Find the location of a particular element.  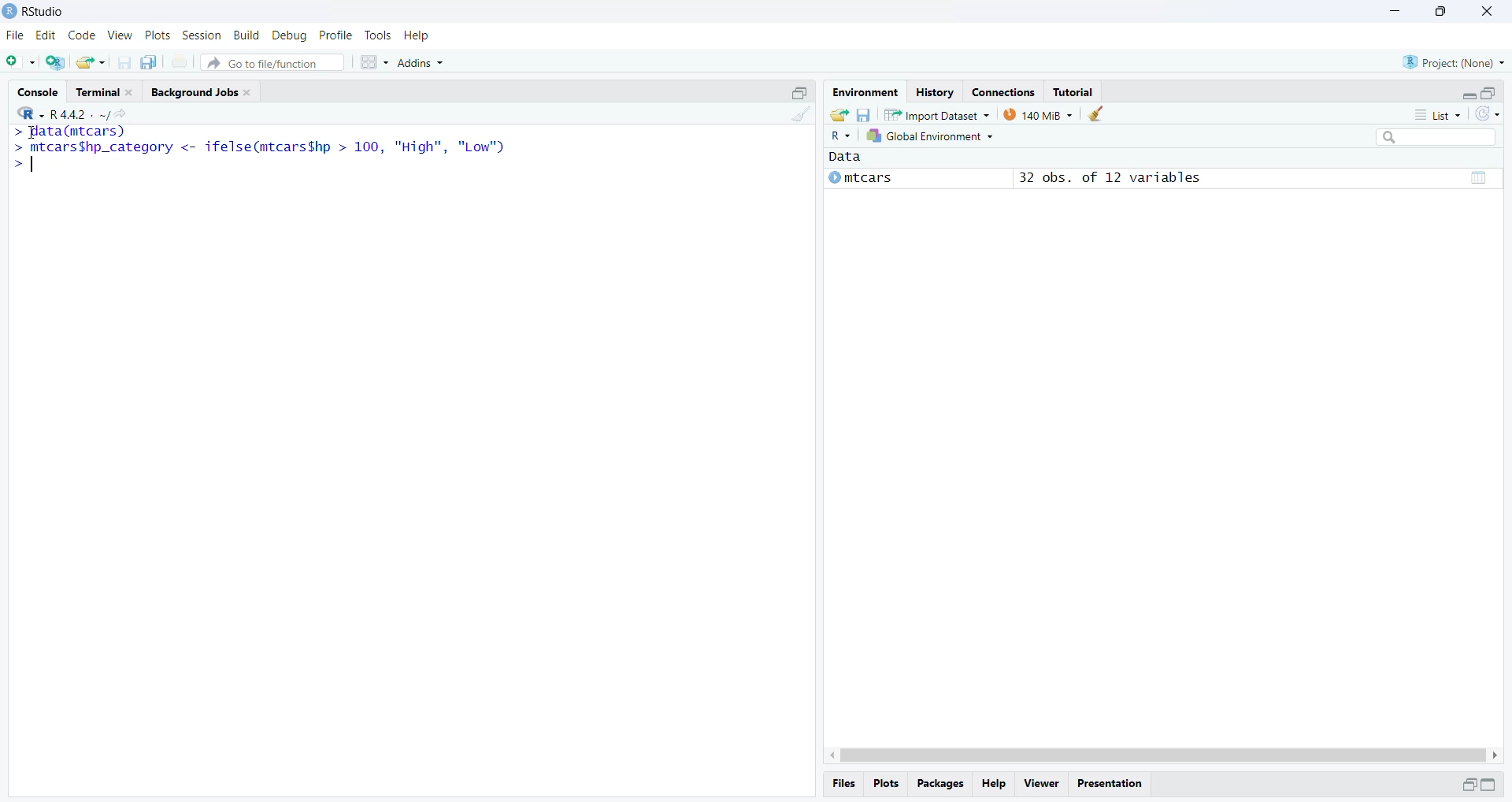

Minimize is located at coordinates (1466, 785).